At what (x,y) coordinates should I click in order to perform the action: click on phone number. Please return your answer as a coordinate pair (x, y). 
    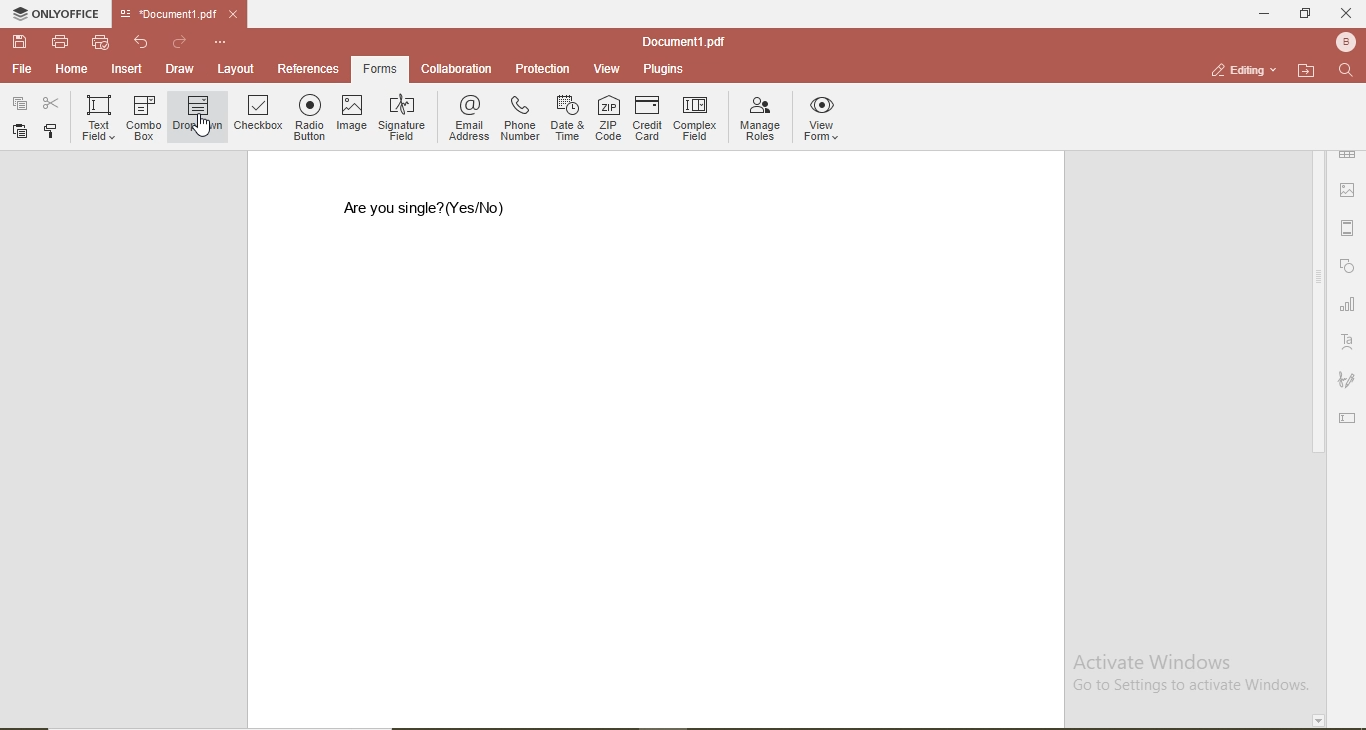
    Looking at the image, I should click on (520, 117).